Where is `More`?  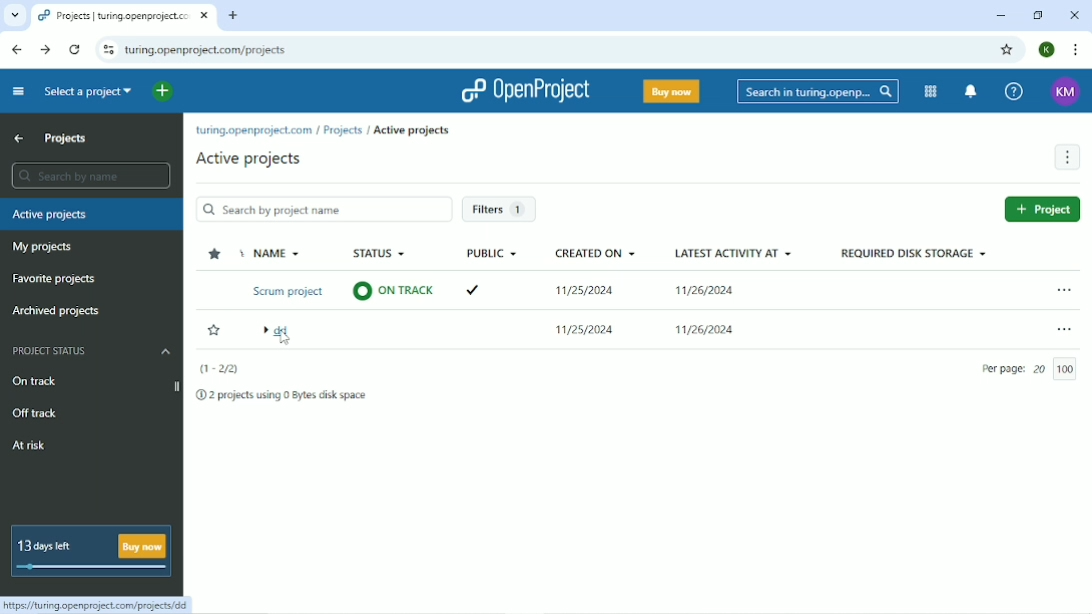 More is located at coordinates (1067, 157).